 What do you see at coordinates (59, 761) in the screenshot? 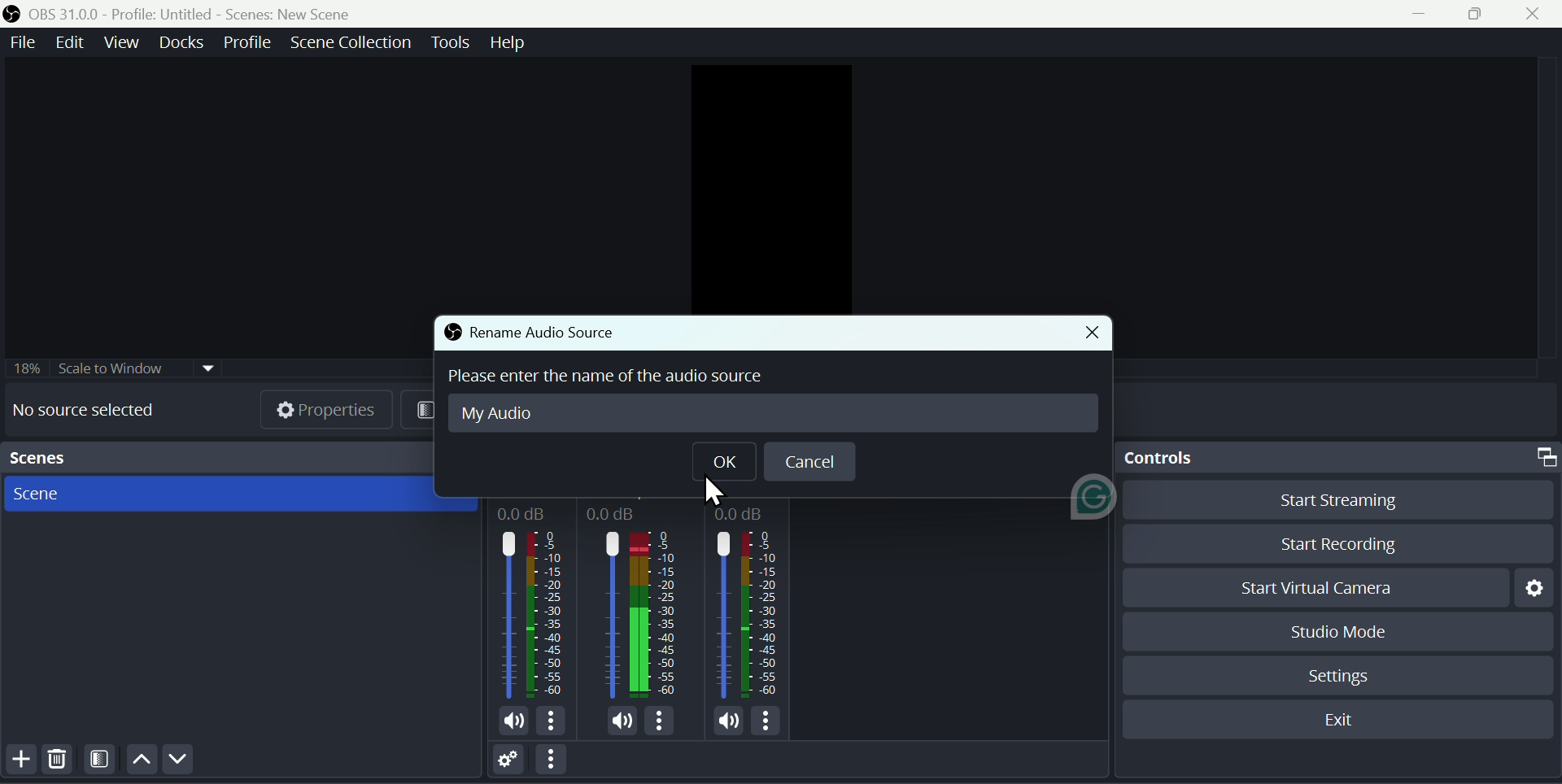
I see `Delete` at bounding box center [59, 761].